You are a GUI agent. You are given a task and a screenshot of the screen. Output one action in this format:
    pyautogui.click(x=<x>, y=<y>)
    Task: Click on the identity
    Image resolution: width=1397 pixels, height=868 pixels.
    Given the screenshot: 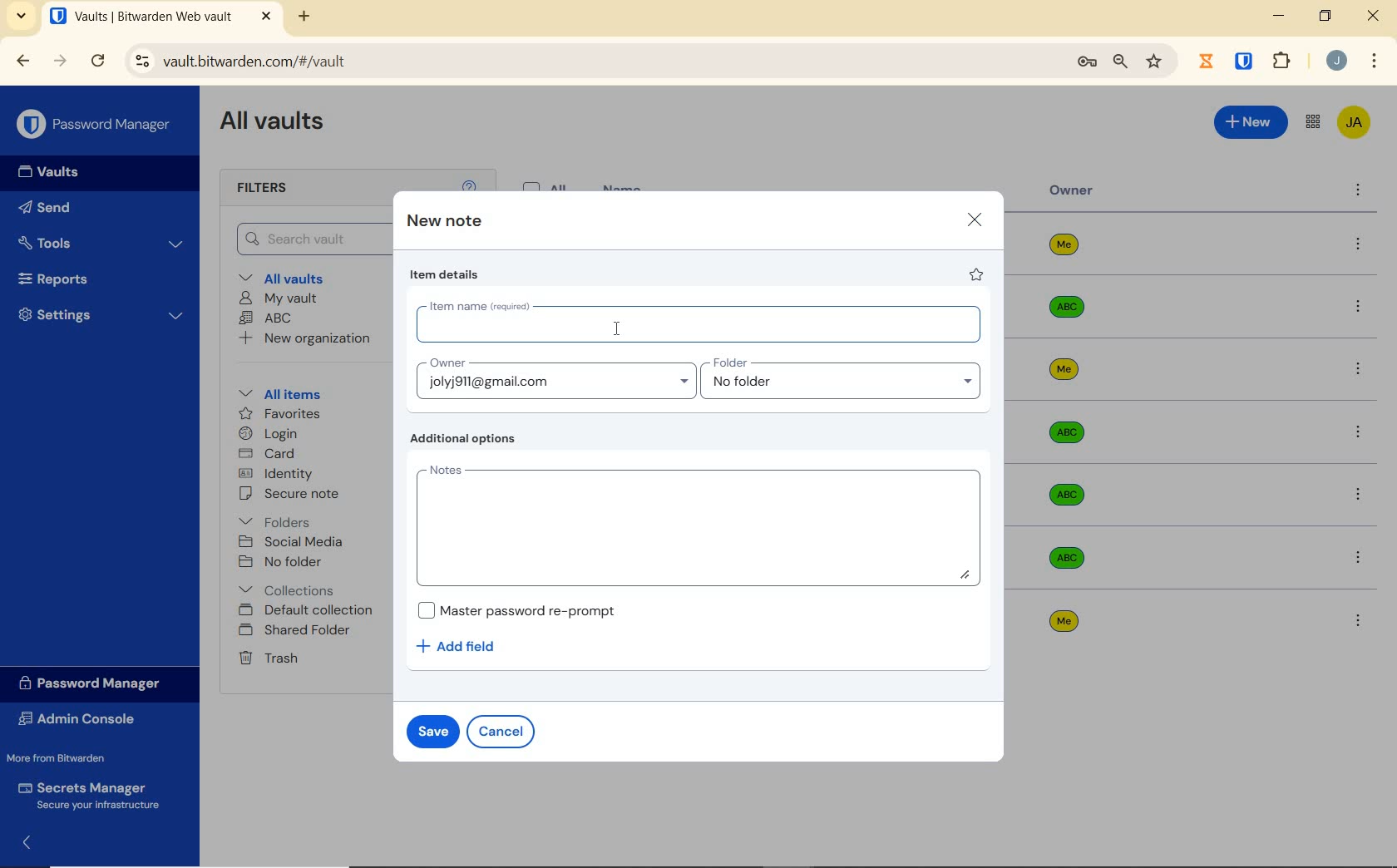 What is the action you would take?
    pyautogui.click(x=279, y=474)
    